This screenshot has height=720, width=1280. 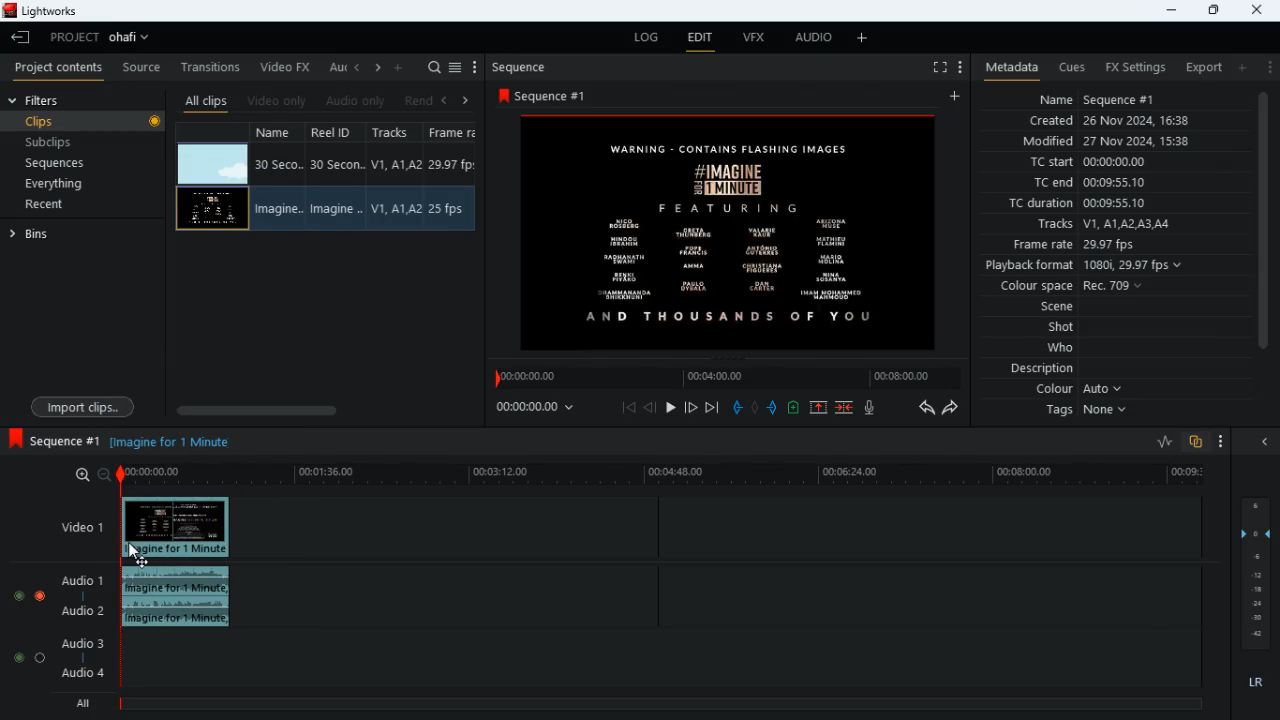 I want to click on zoom, so click(x=85, y=474).